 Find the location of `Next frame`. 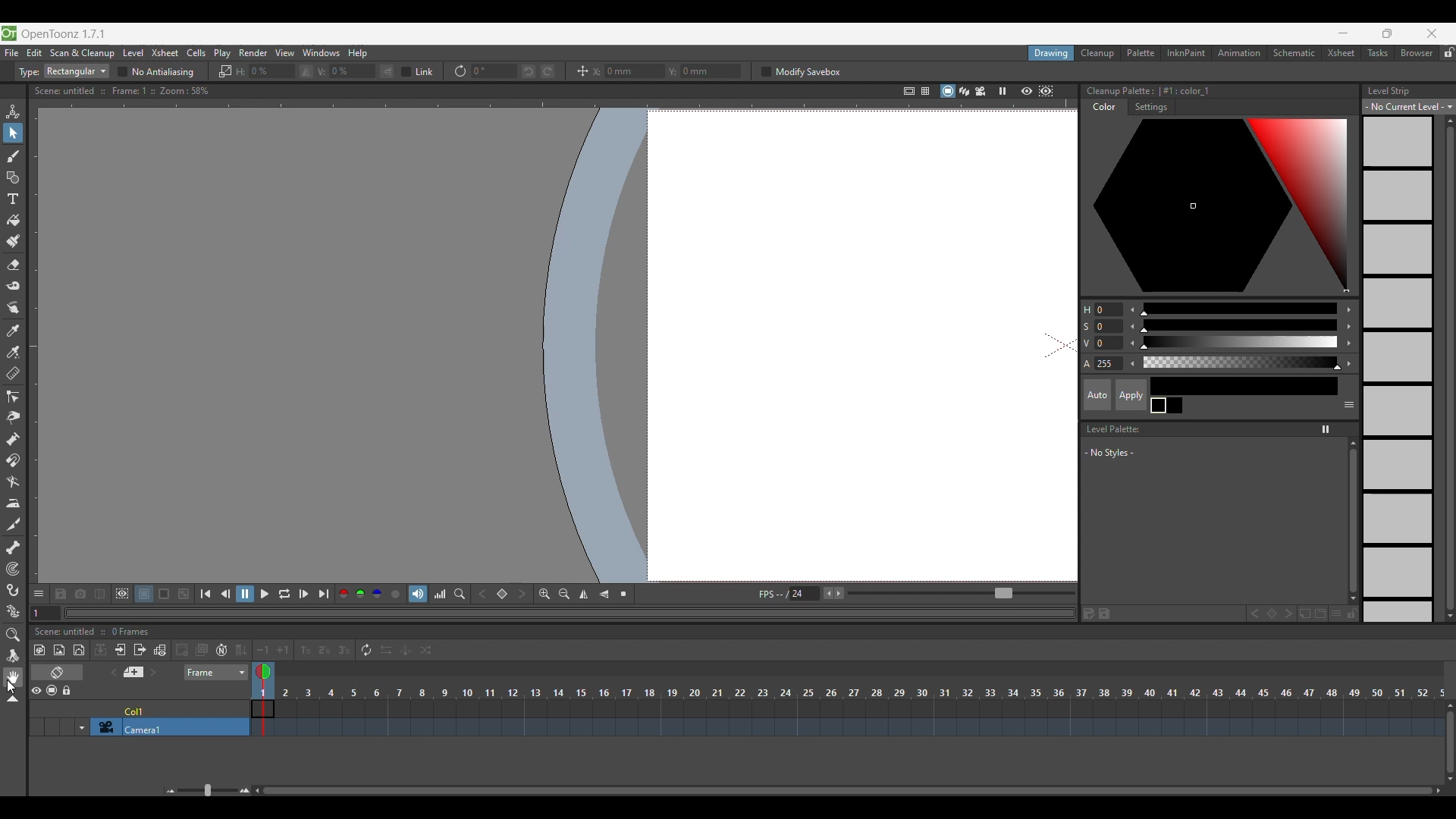

Next frame is located at coordinates (303, 594).